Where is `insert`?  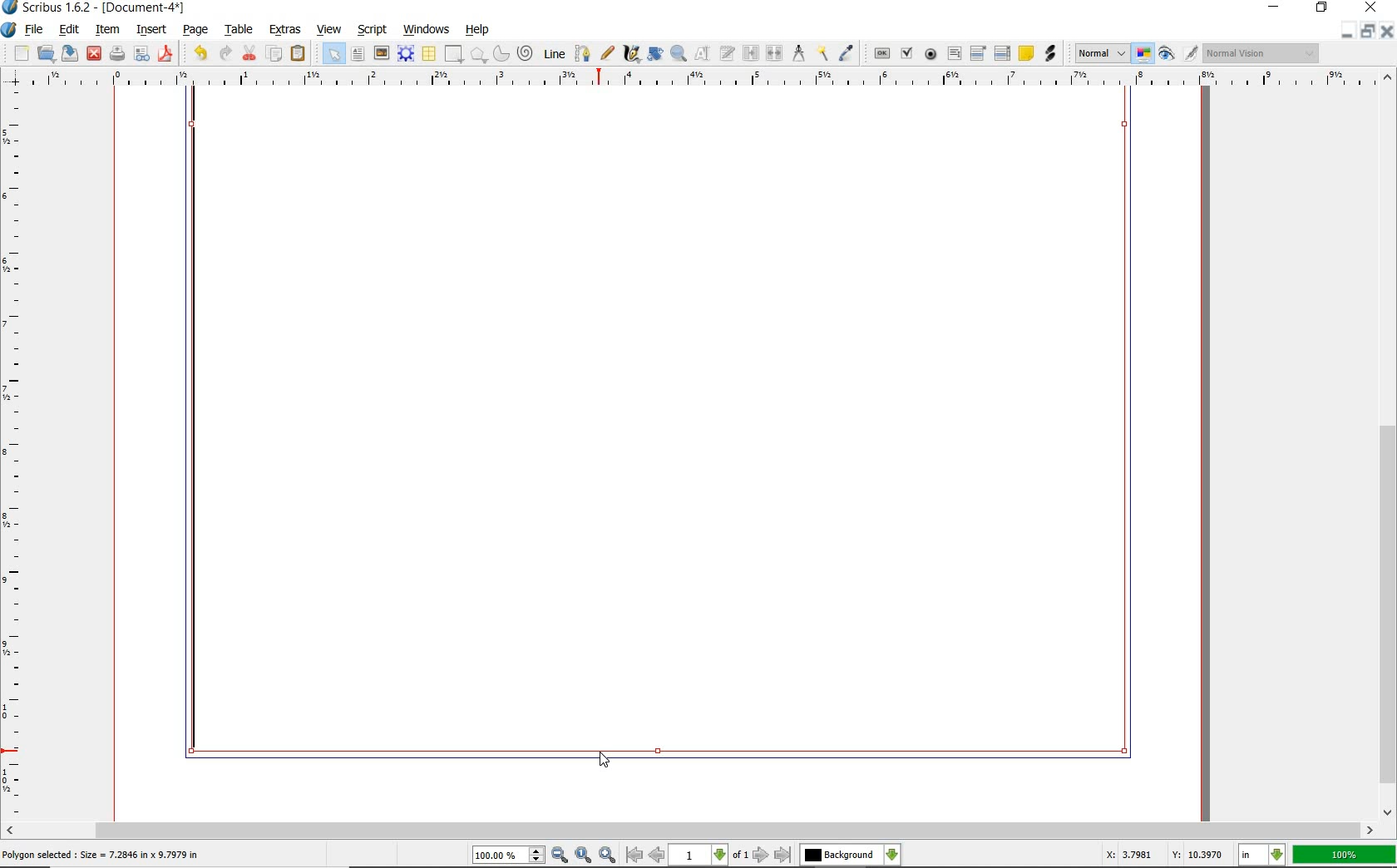 insert is located at coordinates (151, 29).